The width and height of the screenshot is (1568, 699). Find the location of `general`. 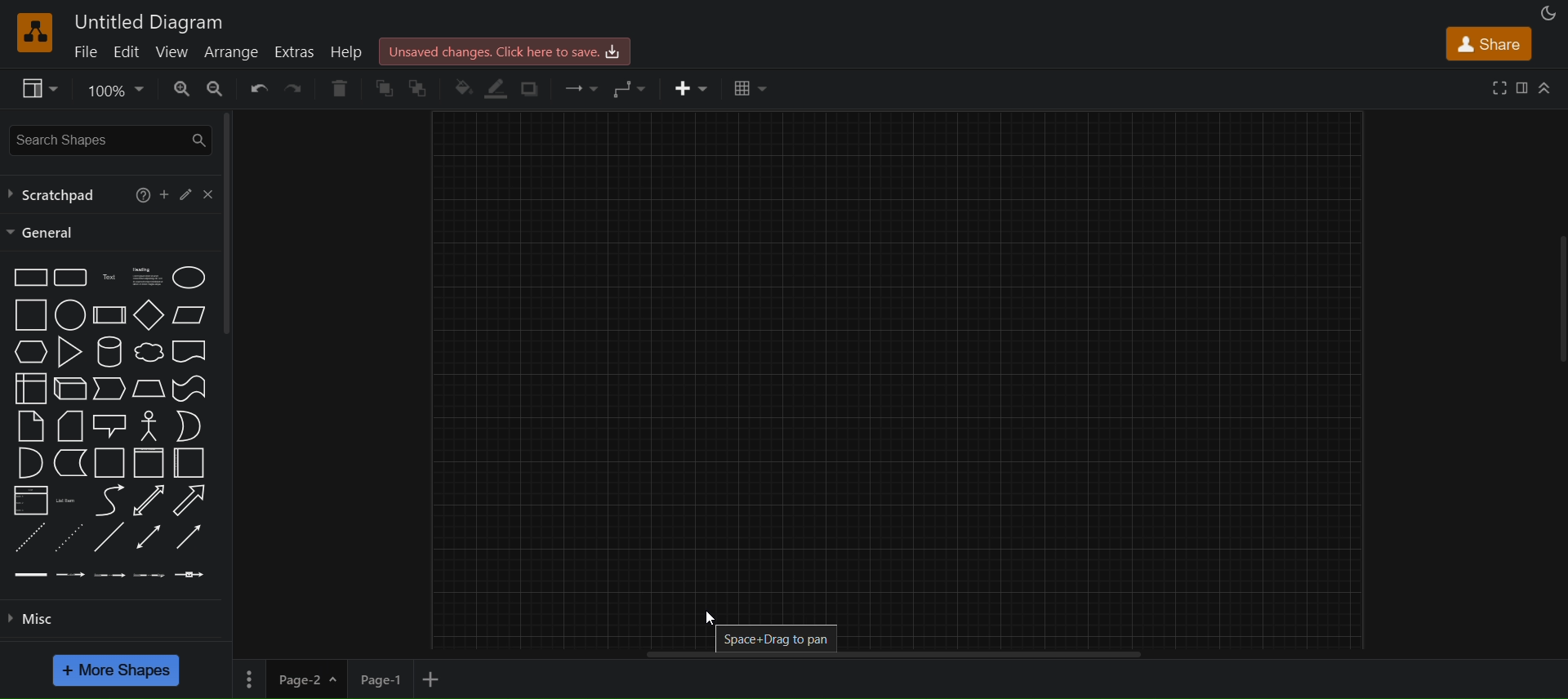

general is located at coordinates (42, 232).